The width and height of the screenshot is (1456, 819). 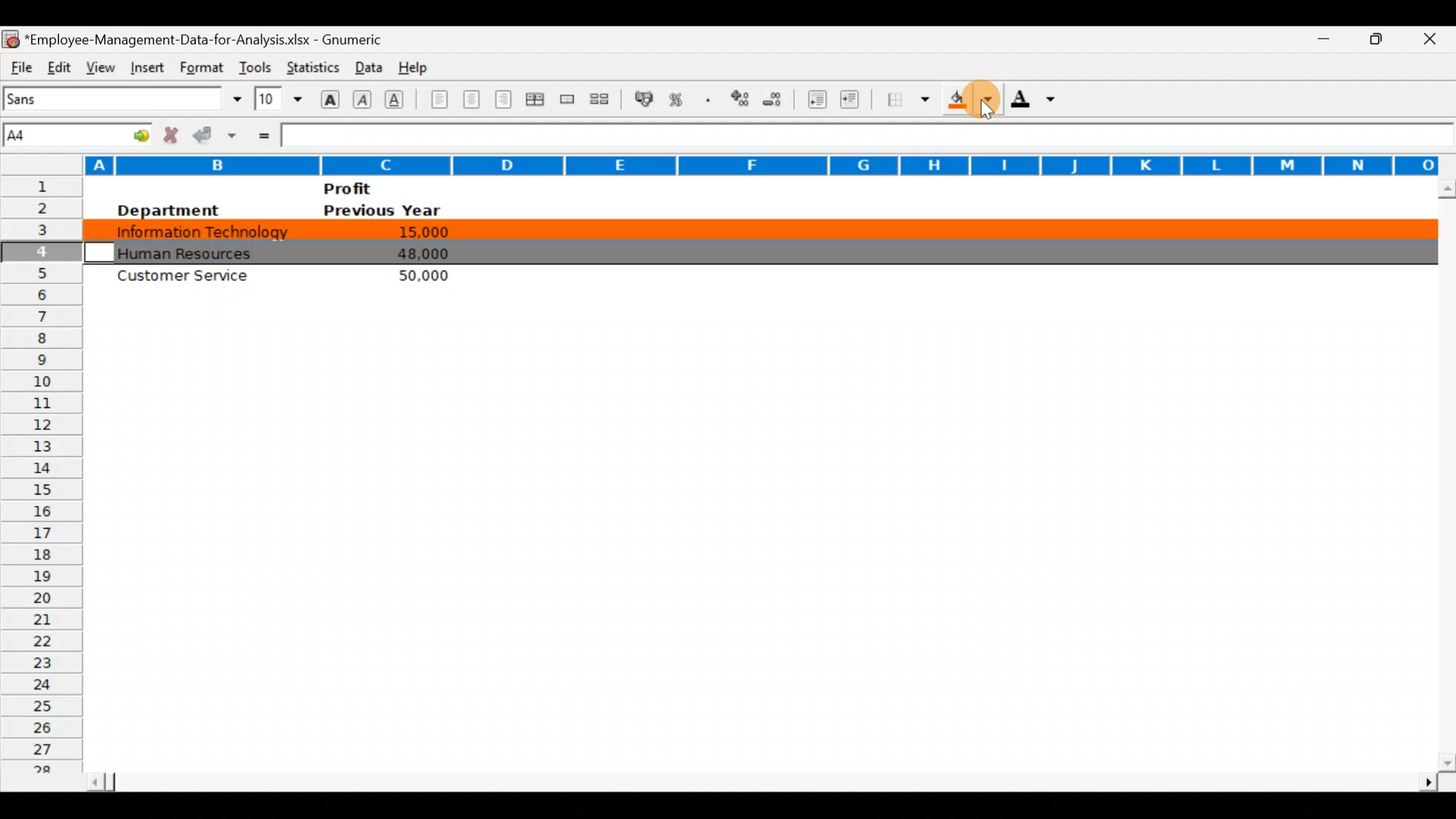 What do you see at coordinates (262, 134) in the screenshot?
I see `Enter formula` at bounding box center [262, 134].